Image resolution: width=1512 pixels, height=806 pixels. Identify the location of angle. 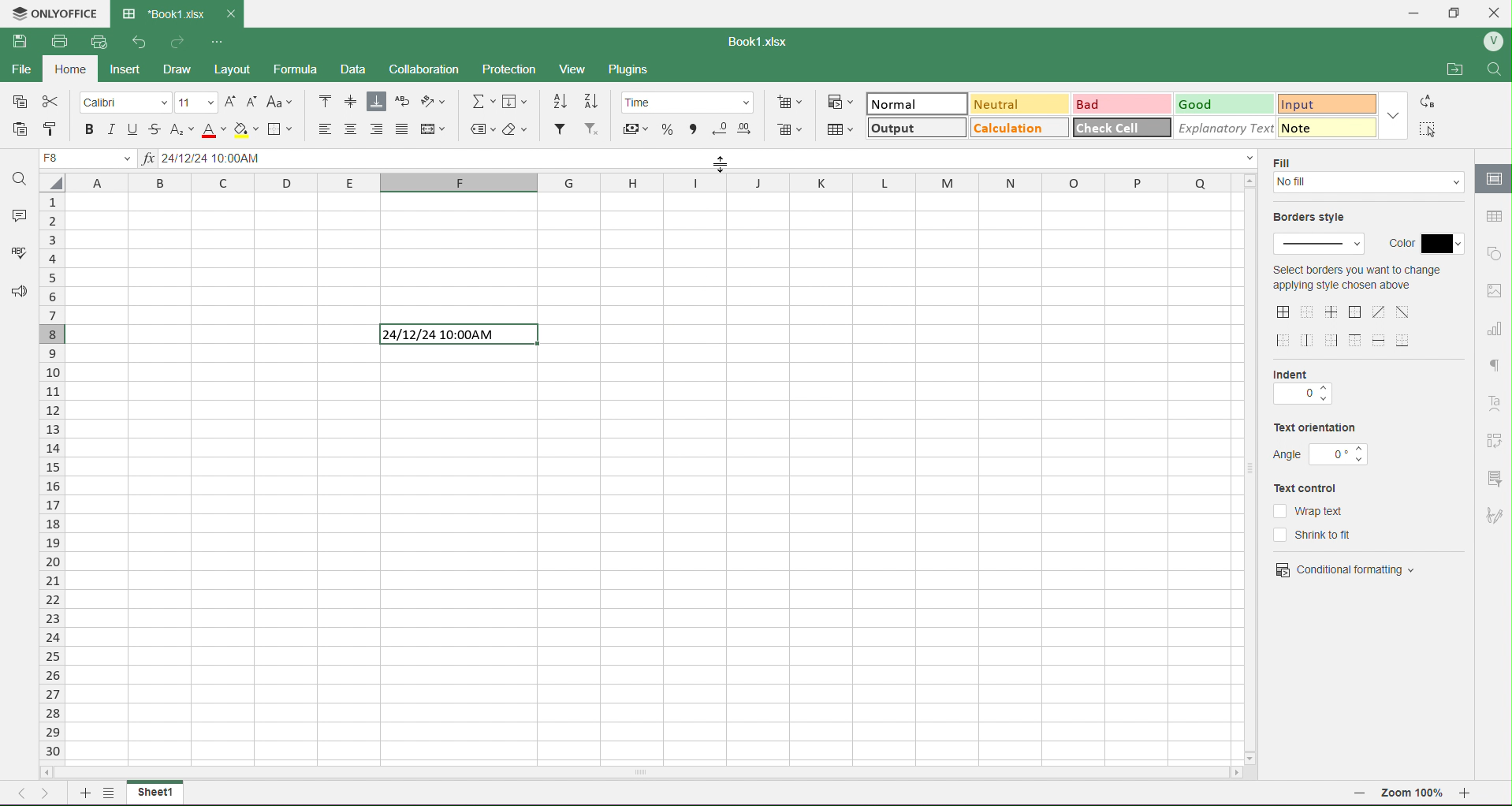
(1322, 454).